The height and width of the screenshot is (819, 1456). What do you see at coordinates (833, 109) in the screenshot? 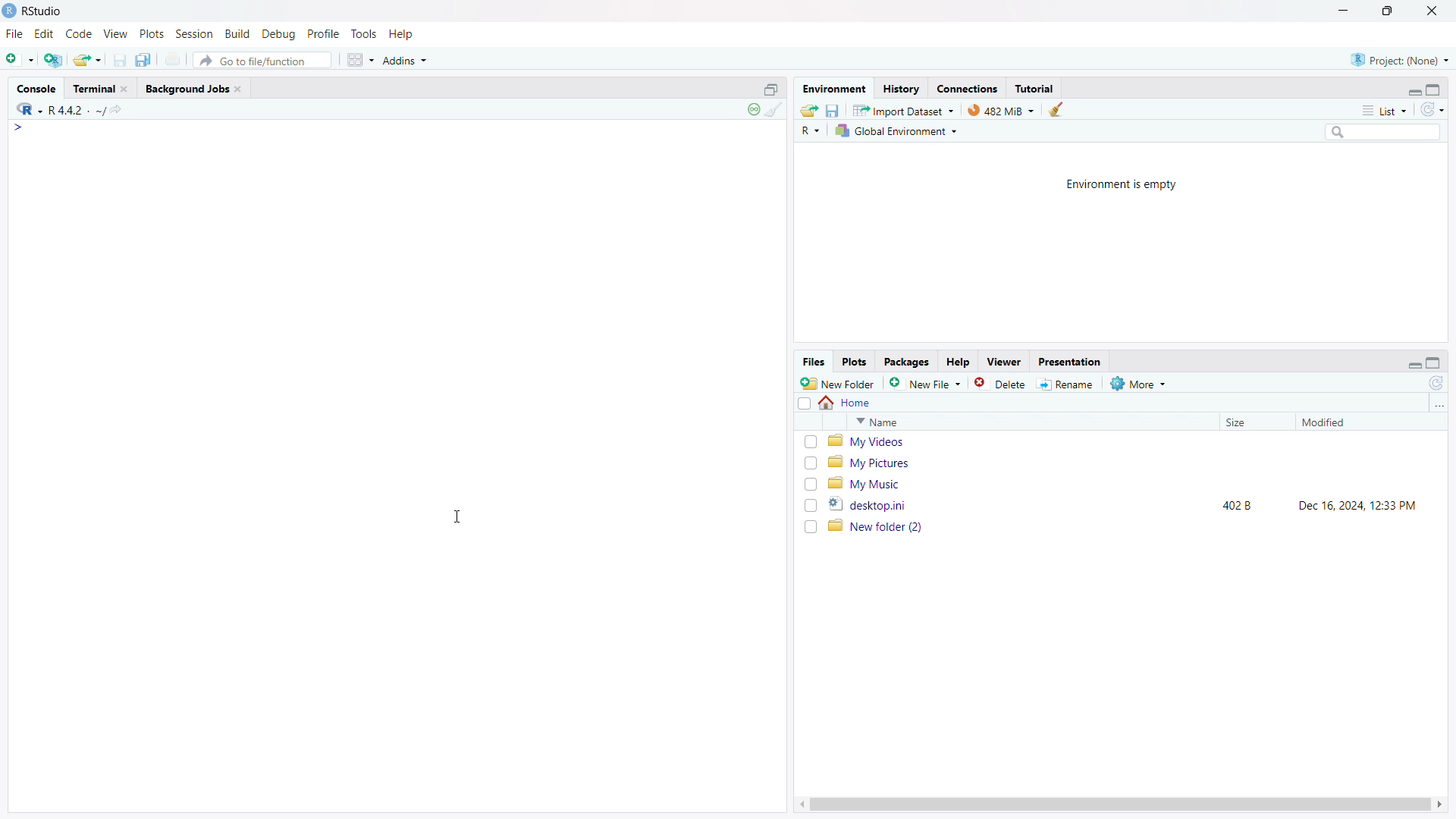
I see `save worksoace as` at bounding box center [833, 109].